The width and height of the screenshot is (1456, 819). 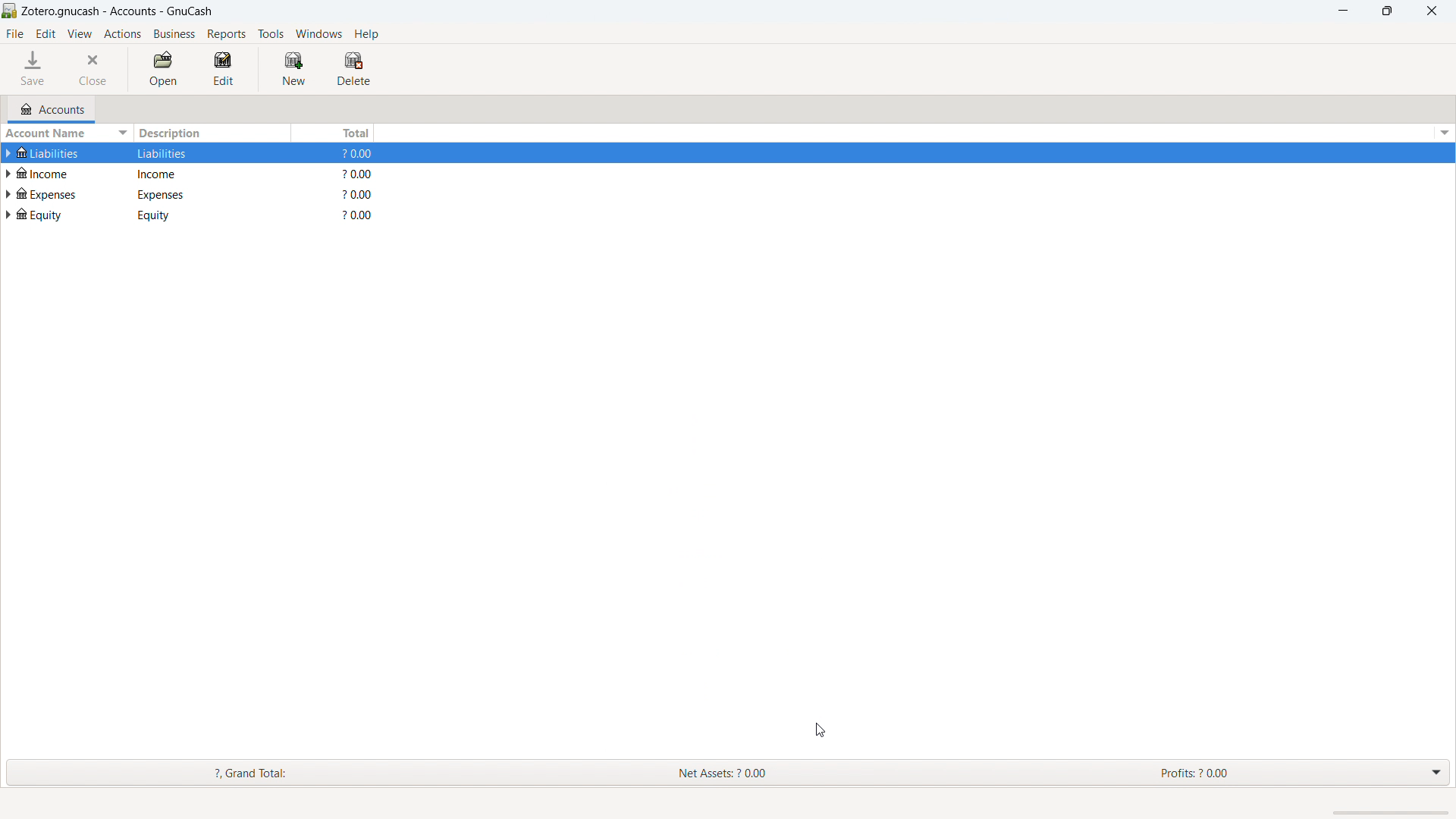 What do you see at coordinates (174, 173) in the screenshot?
I see `Income` at bounding box center [174, 173].